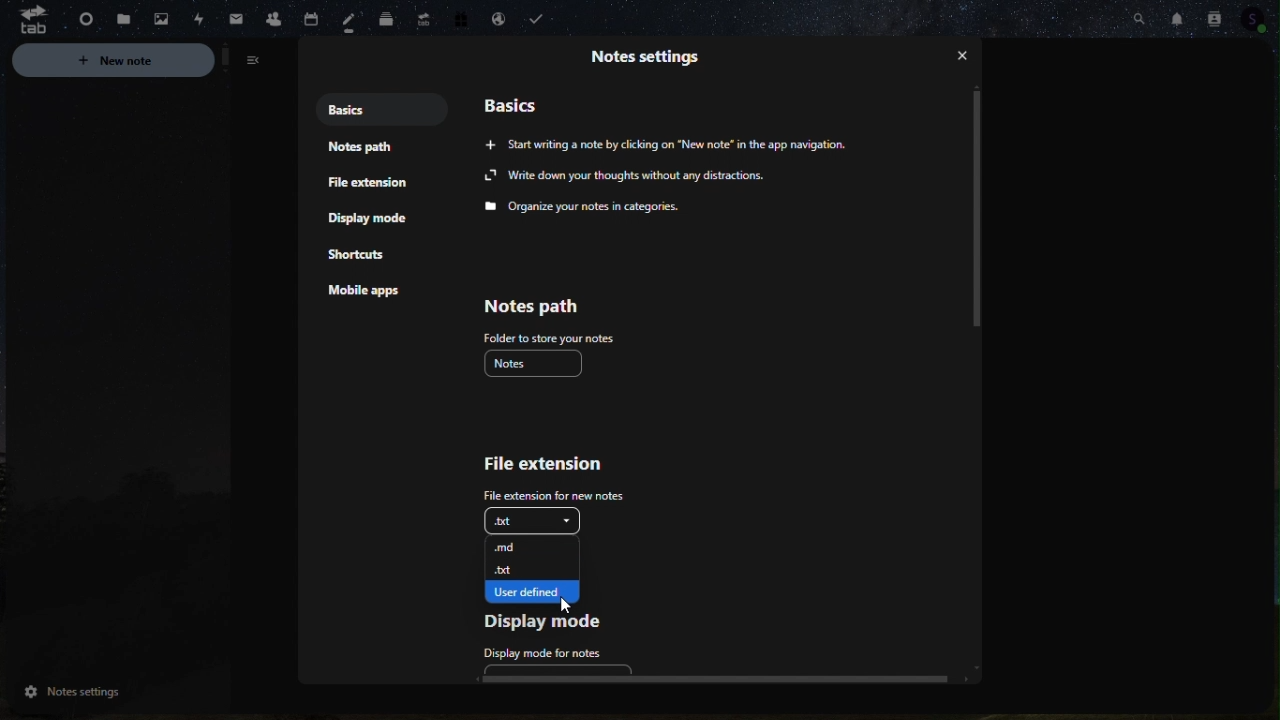  What do you see at coordinates (963, 58) in the screenshot?
I see `close` at bounding box center [963, 58].